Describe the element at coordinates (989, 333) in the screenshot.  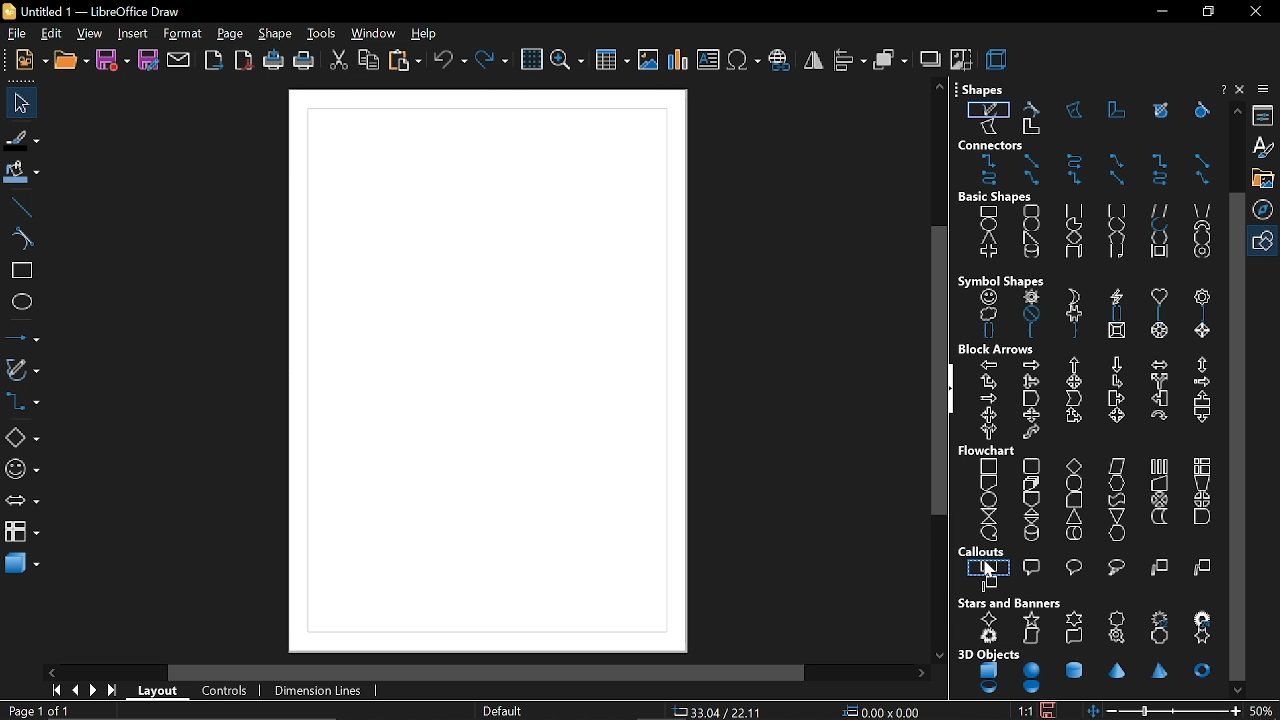
I see `double brace` at that location.